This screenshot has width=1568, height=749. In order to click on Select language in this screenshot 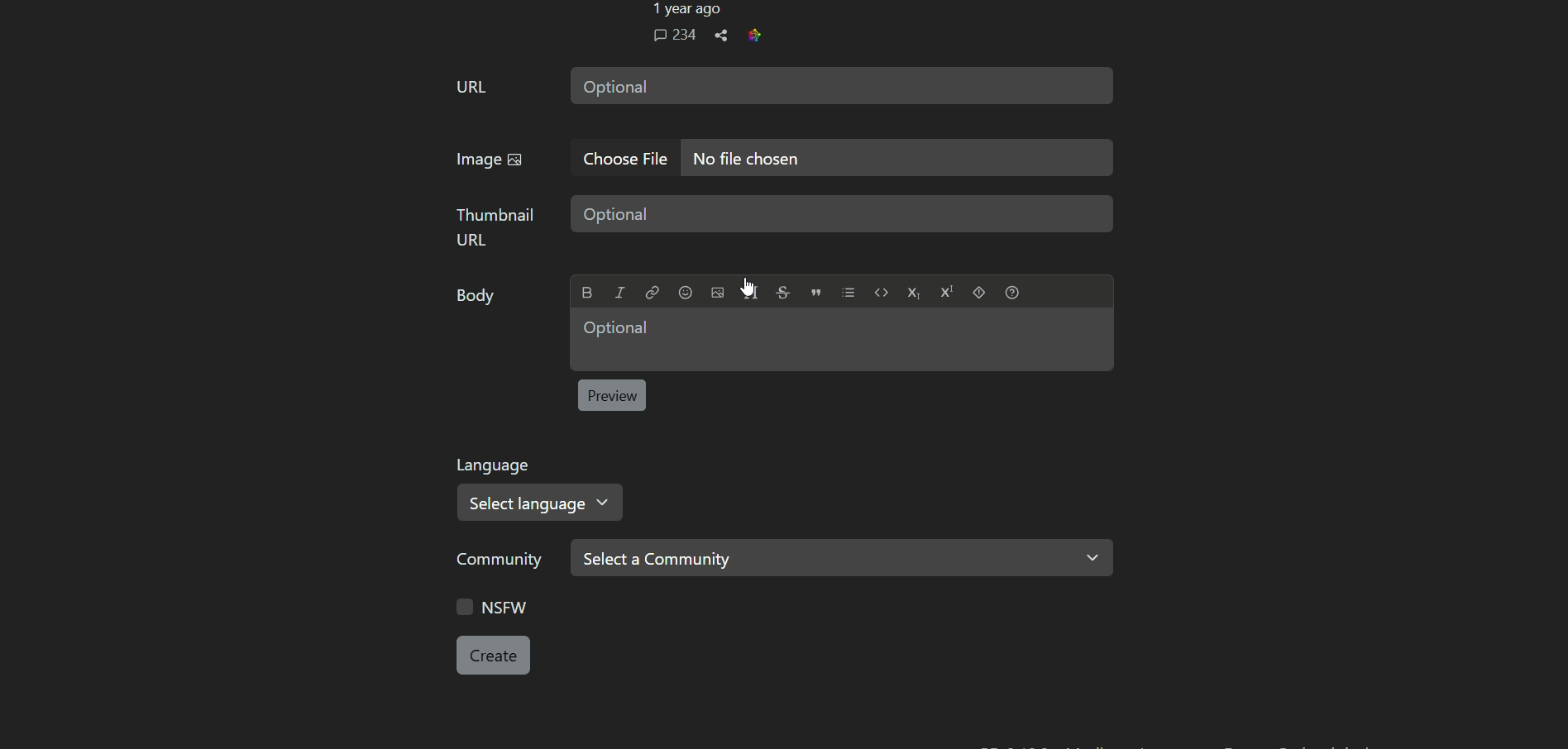, I will do `click(542, 502)`.